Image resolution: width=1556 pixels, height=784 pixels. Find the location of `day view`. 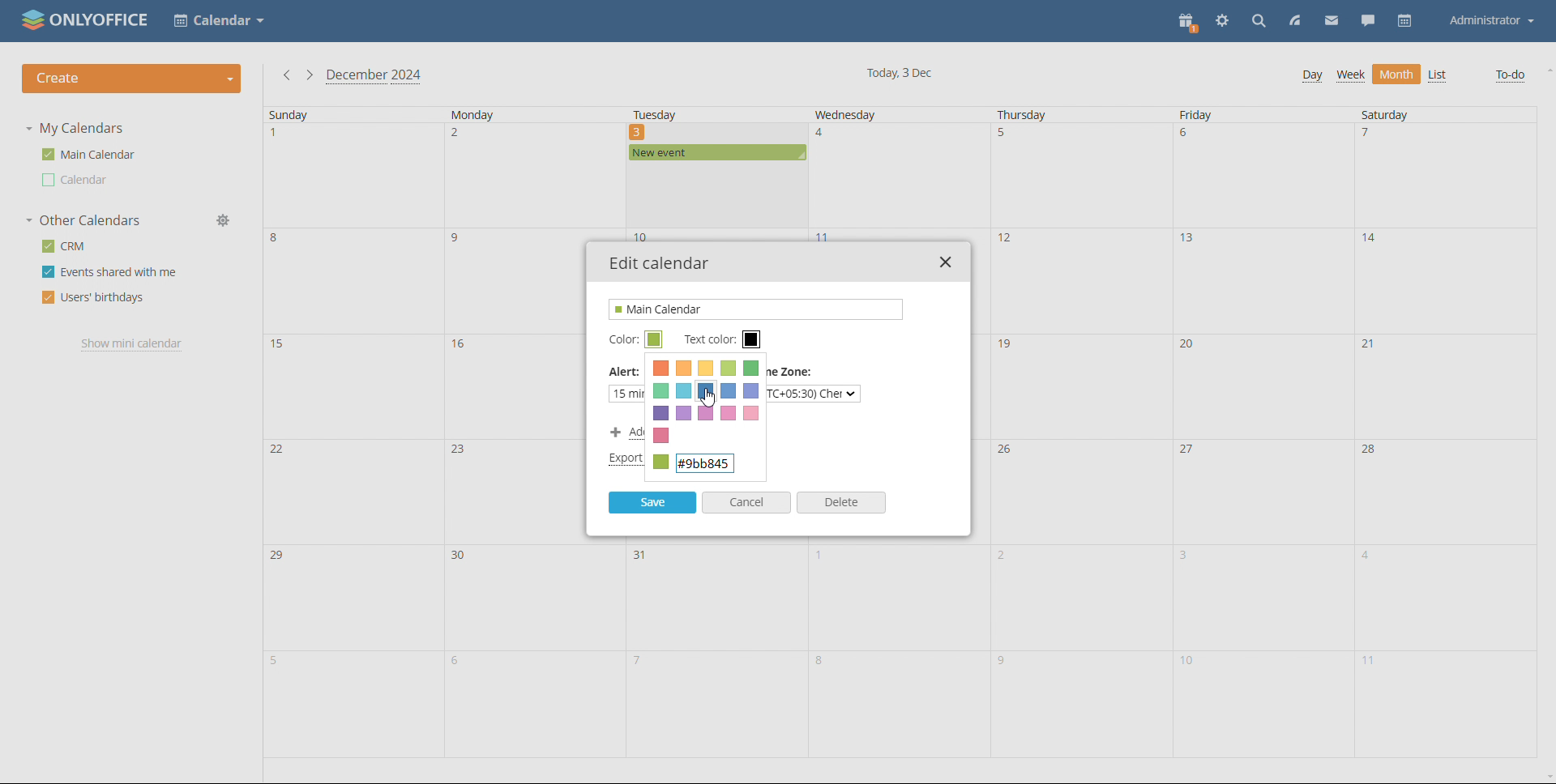

day view is located at coordinates (1312, 76).